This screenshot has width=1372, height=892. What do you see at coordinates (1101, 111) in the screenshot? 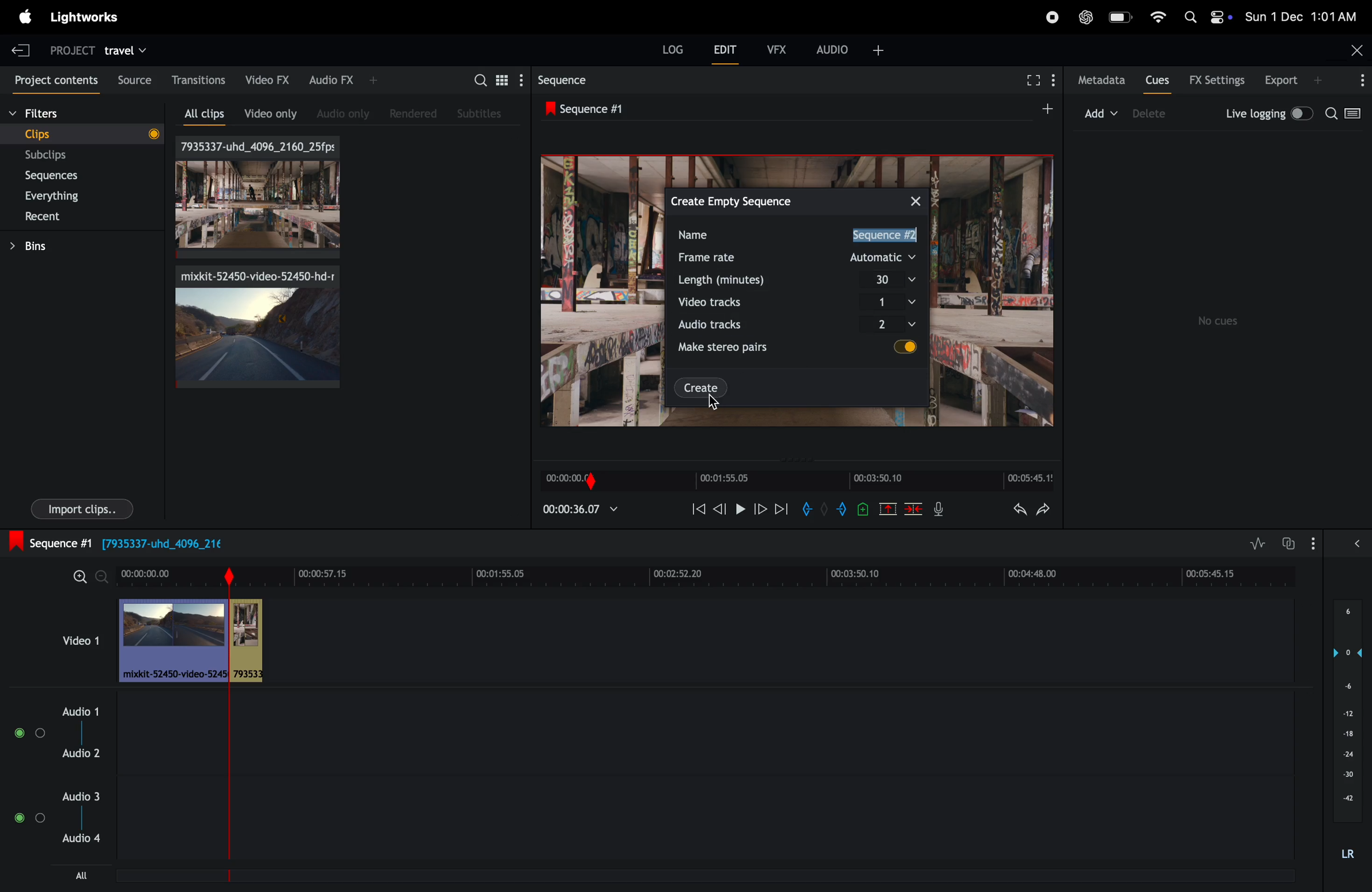
I see `add` at bounding box center [1101, 111].